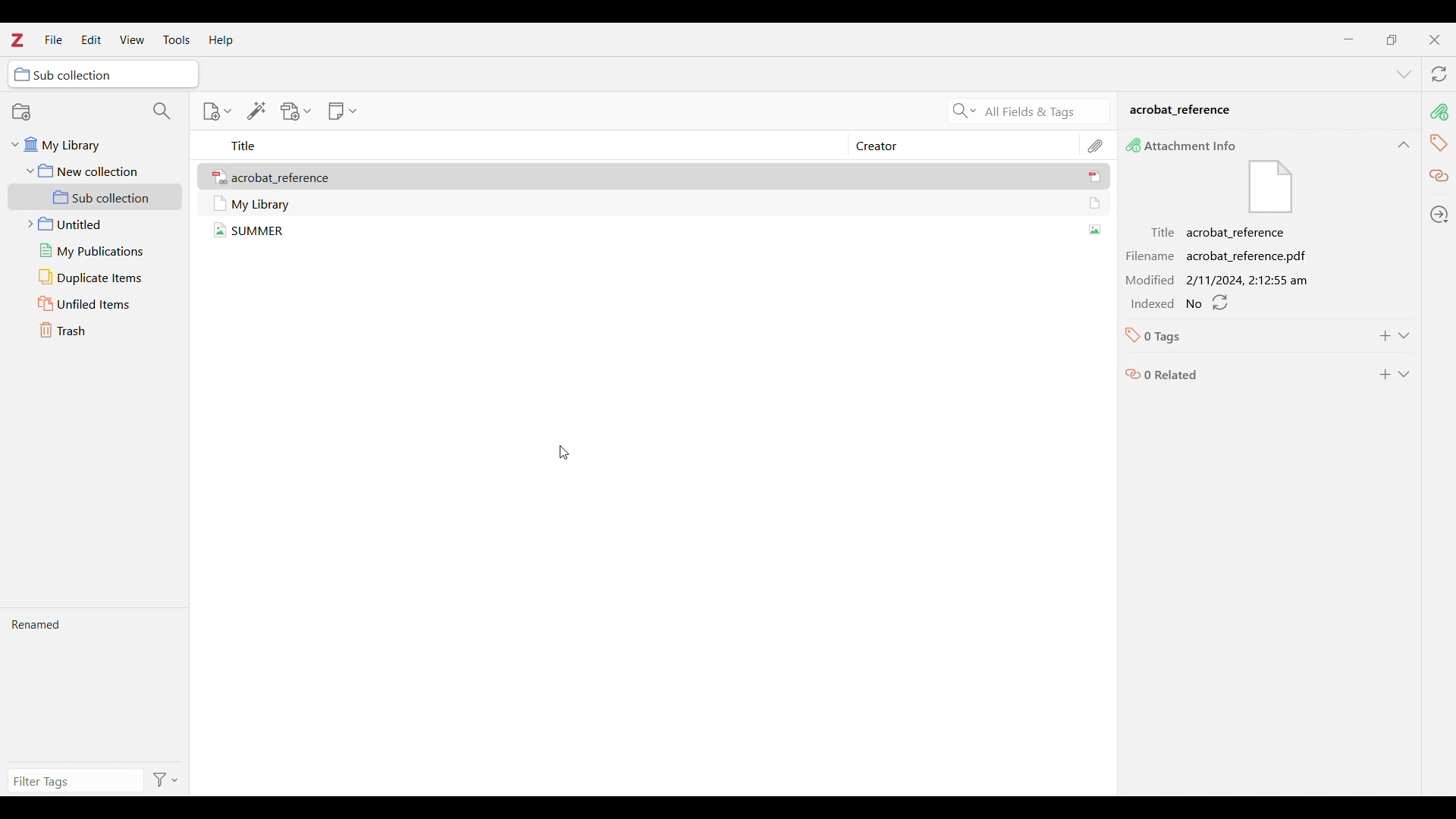 The image size is (1456, 819). What do you see at coordinates (1097, 145) in the screenshot?
I see `Attachment` at bounding box center [1097, 145].